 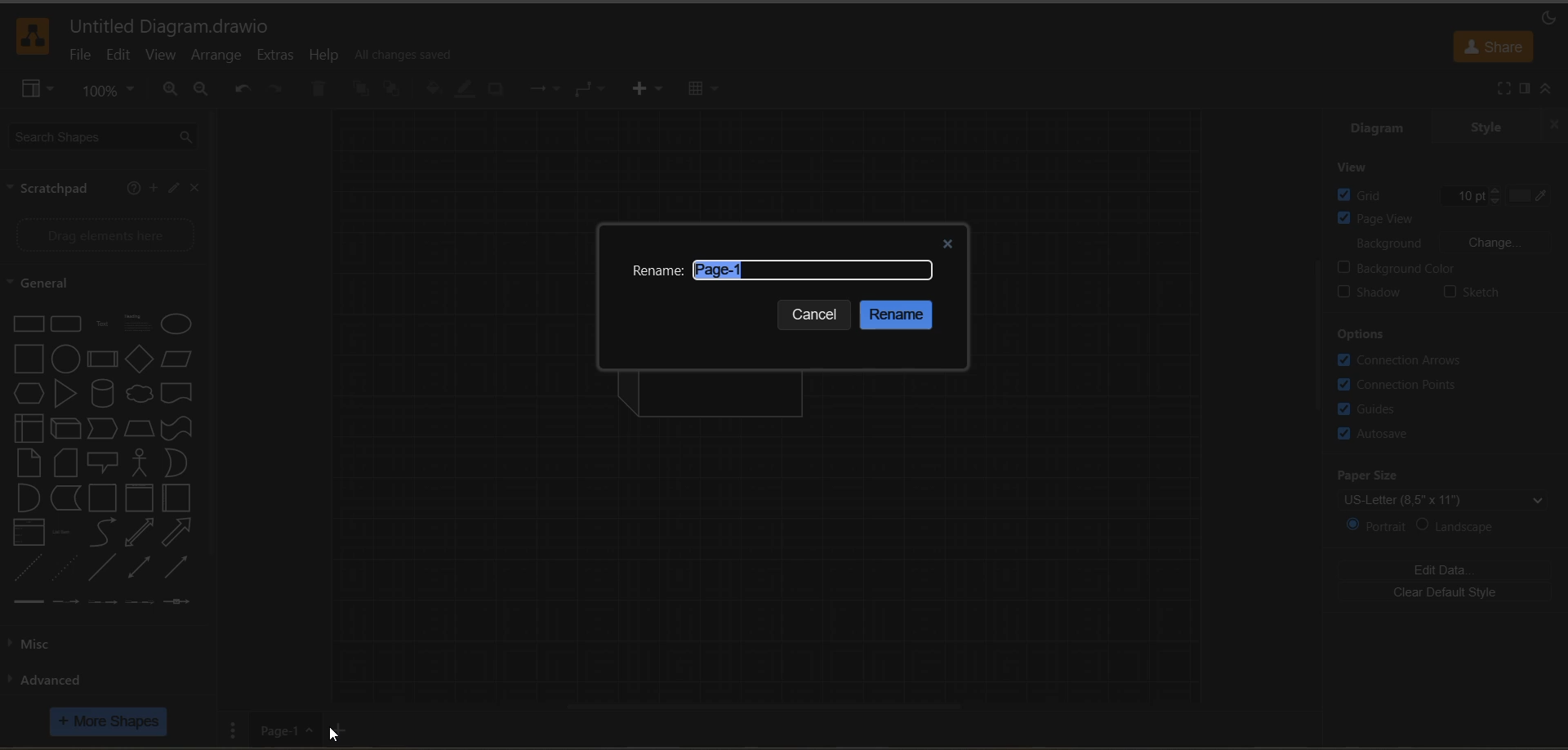 I want to click on appearance, so click(x=1548, y=19).